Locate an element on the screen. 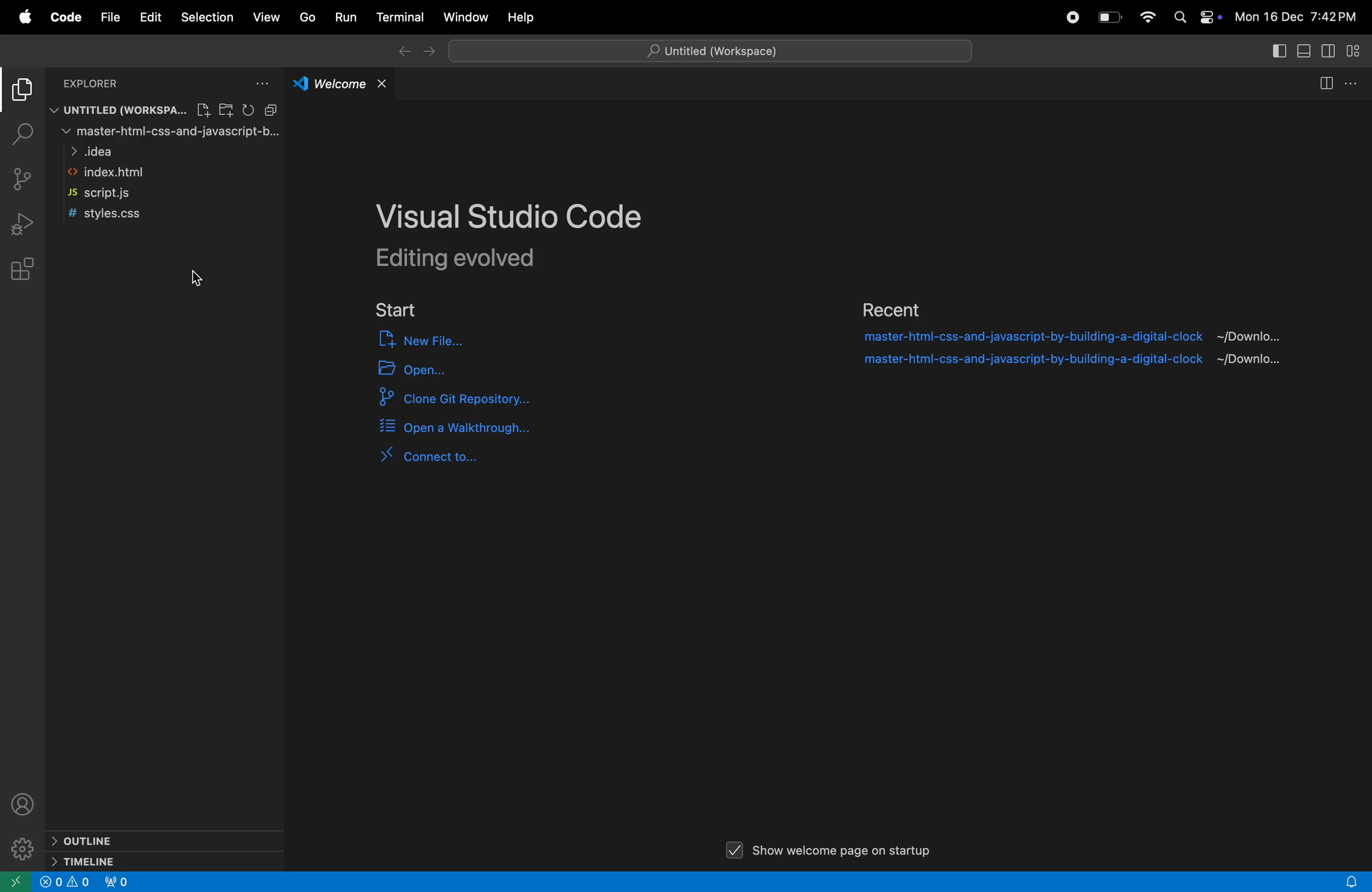 This screenshot has height=892, width=1372. toggle panel is located at coordinates (1279, 50).